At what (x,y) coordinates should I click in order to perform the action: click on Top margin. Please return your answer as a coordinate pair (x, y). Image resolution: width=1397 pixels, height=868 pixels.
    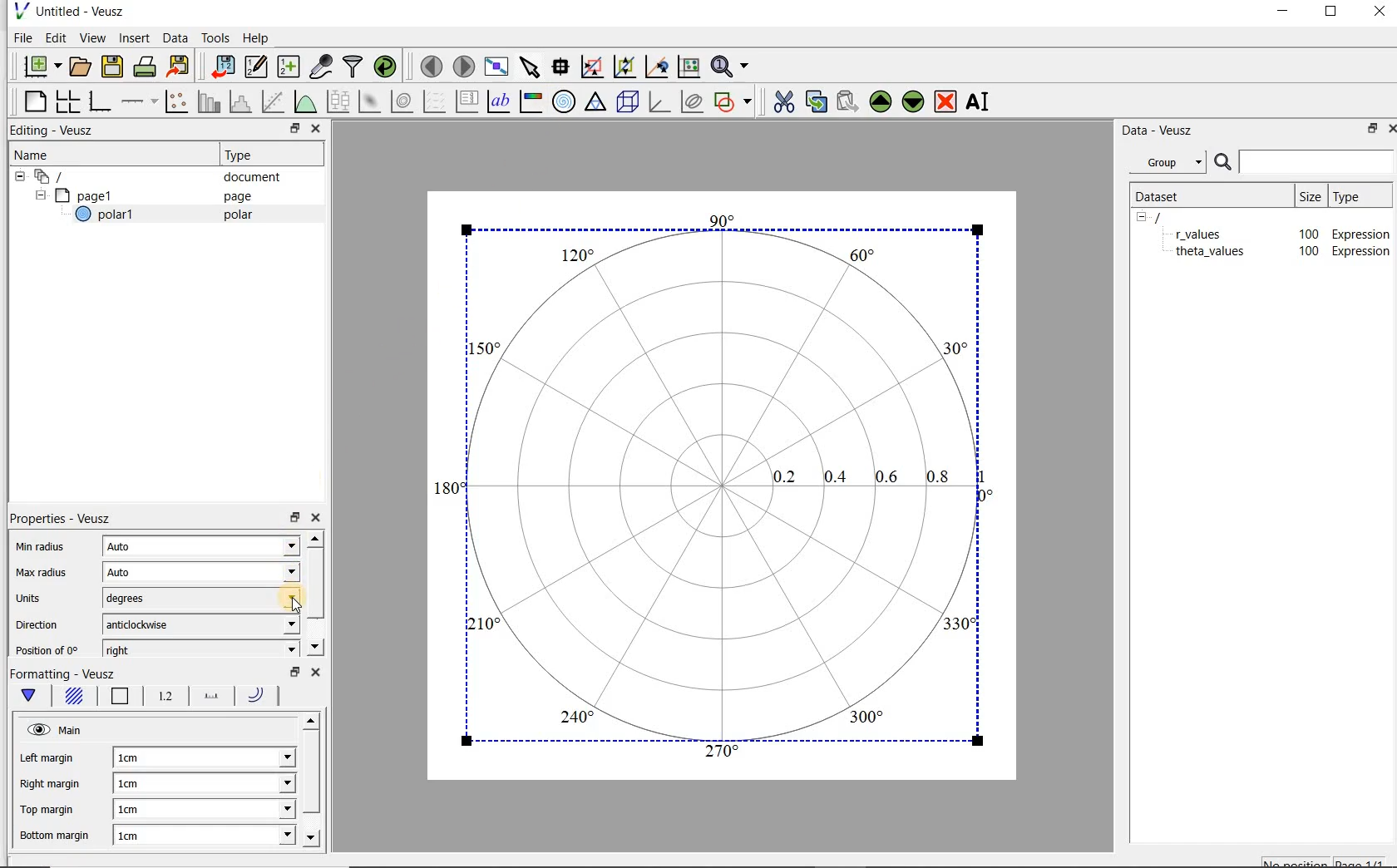
    Looking at the image, I should click on (49, 811).